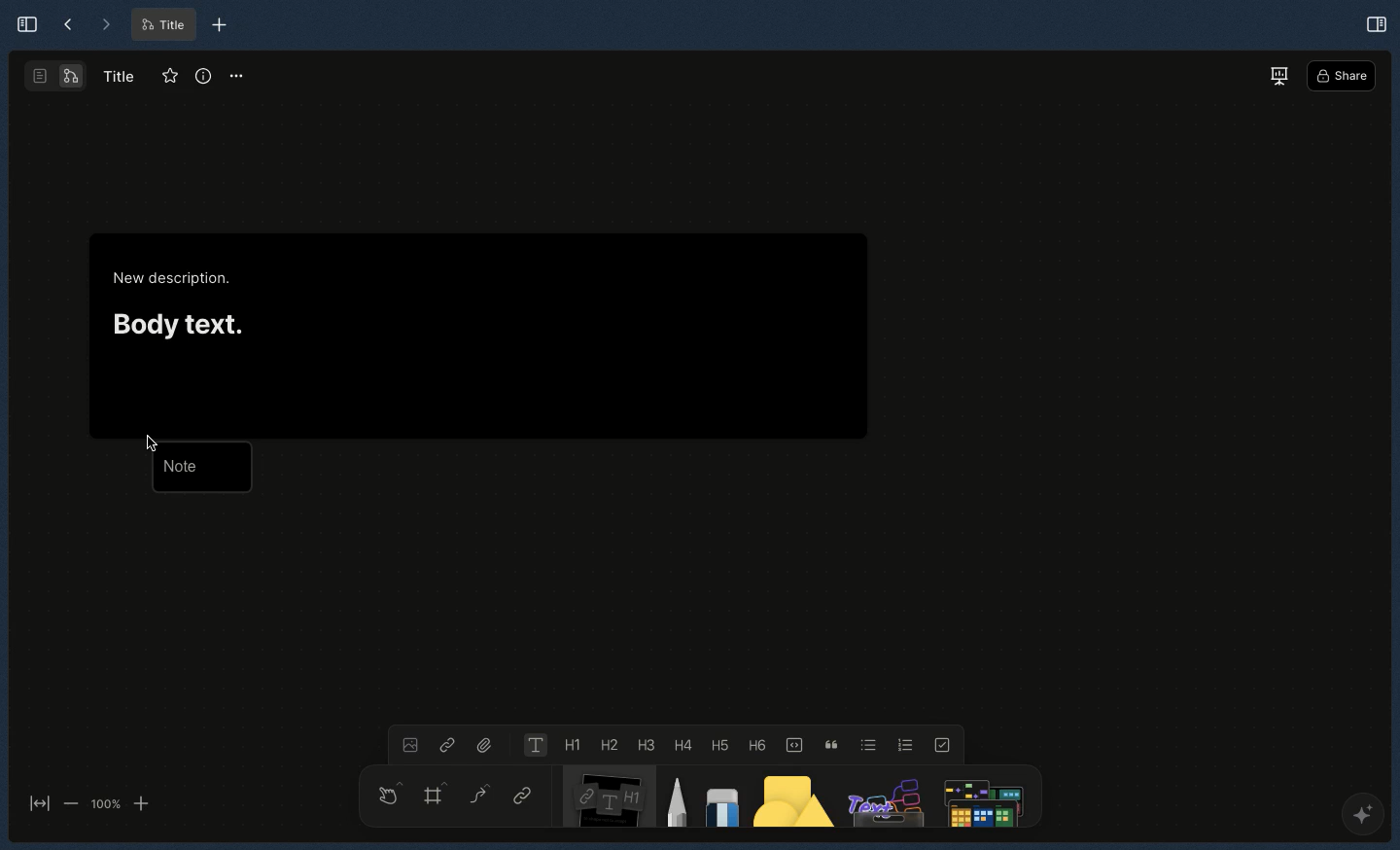 The height and width of the screenshot is (850, 1400). Describe the element at coordinates (533, 745) in the screenshot. I see `Text` at that location.